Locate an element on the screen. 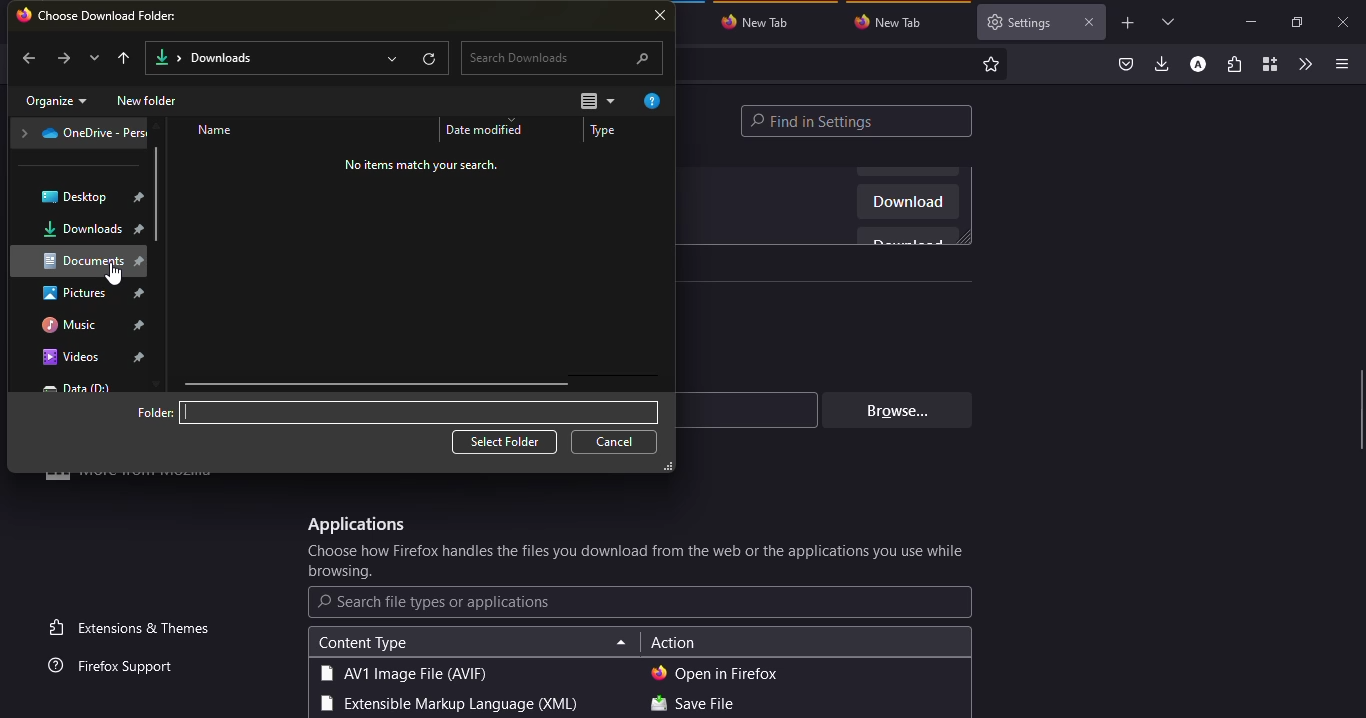 Image resolution: width=1366 pixels, height=718 pixels. refresh is located at coordinates (431, 58).